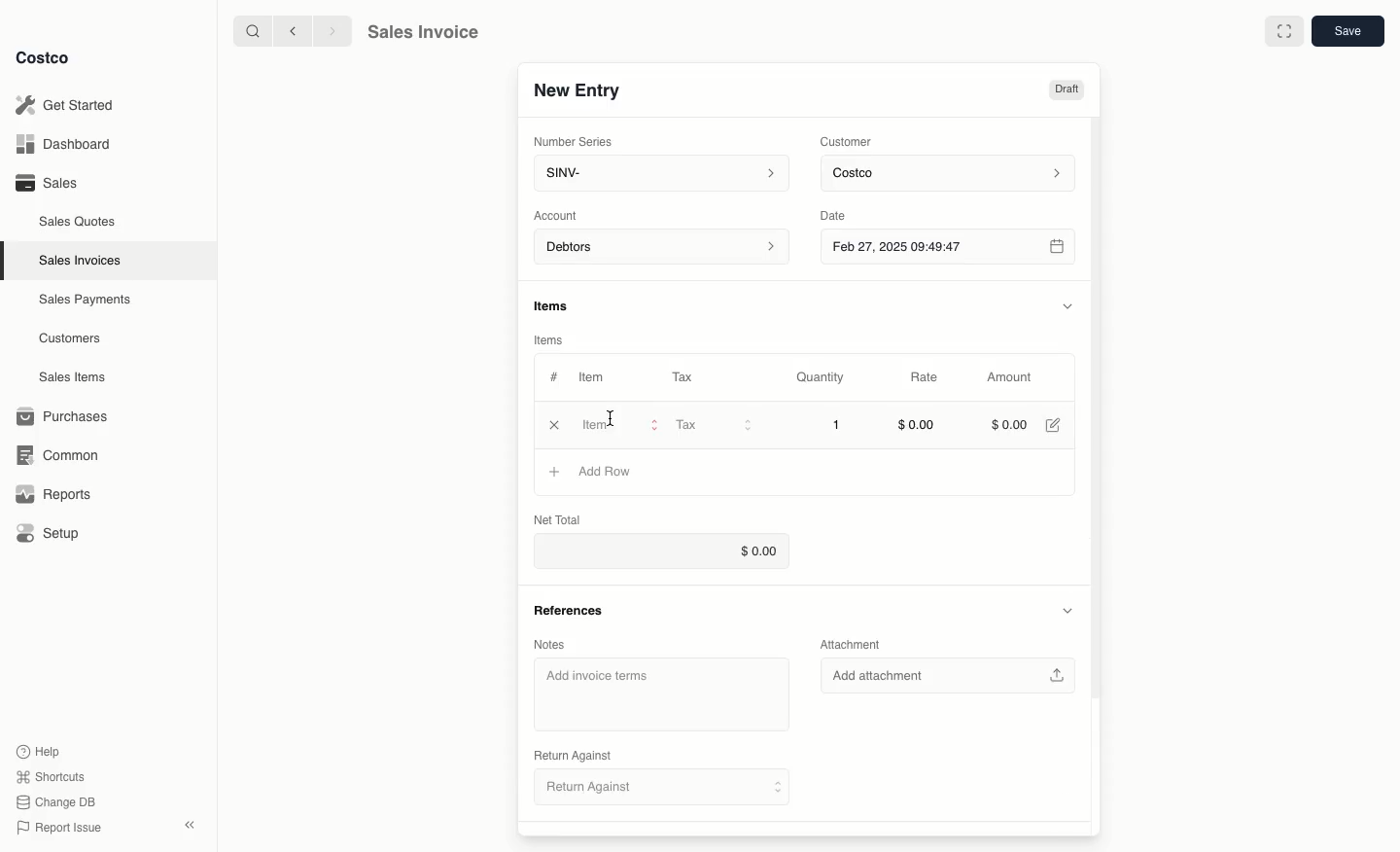 This screenshot has width=1400, height=852. What do you see at coordinates (917, 427) in the screenshot?
I see `$0.00` at bounding box center [917, 427].